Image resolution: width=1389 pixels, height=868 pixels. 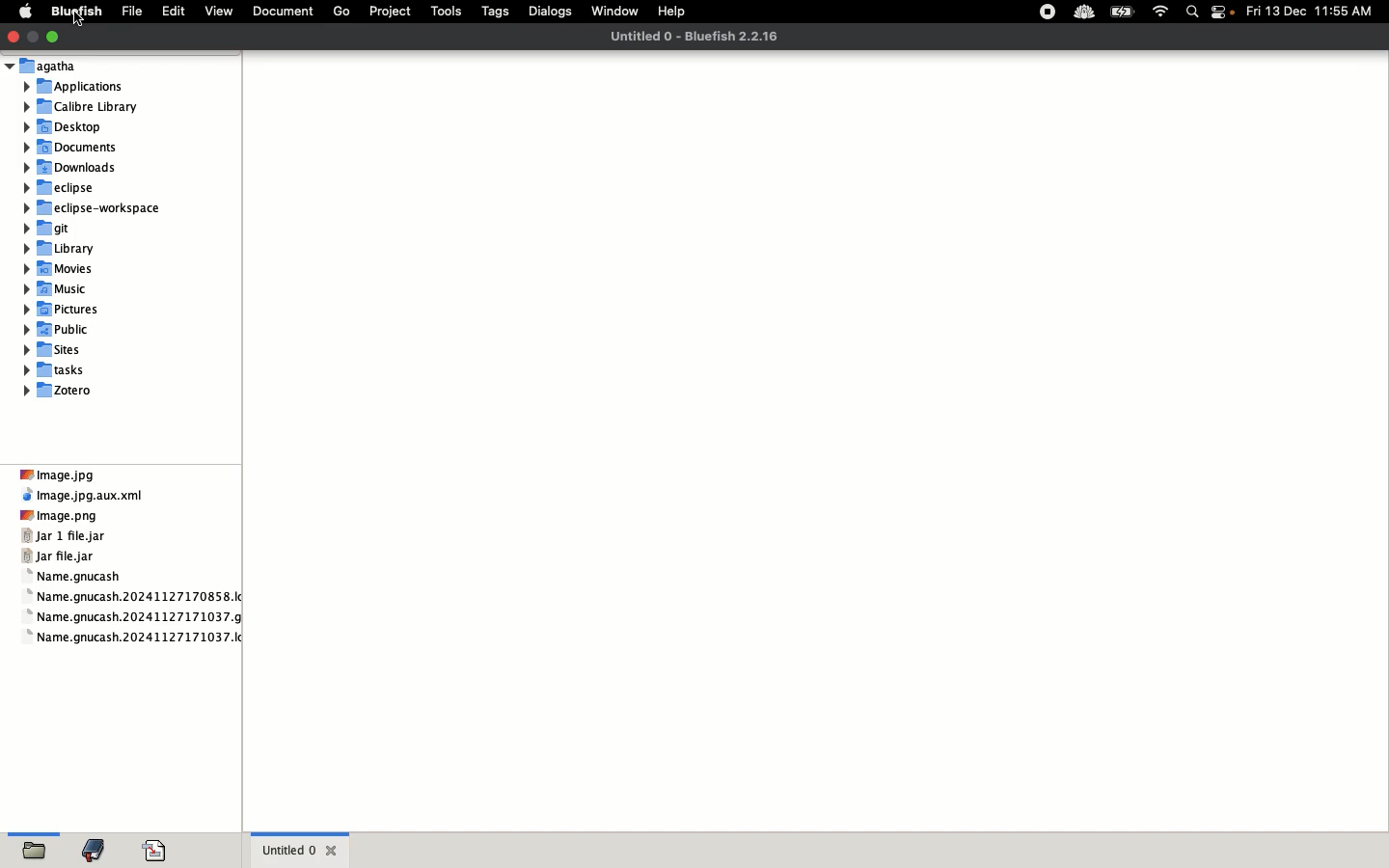 What do you see at coordinates (64, 391) in the screenshot?
I see `zotero` at bounding box center [64, 391].